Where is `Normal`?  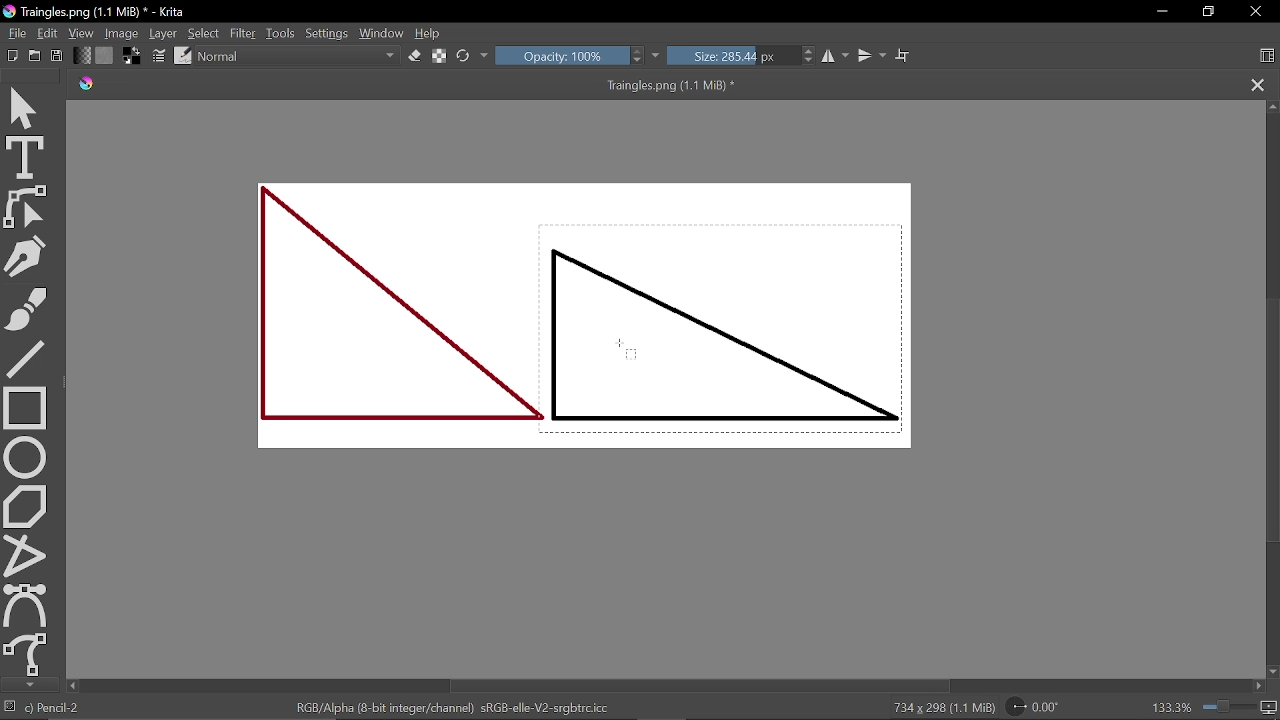
Normal is located at coordinates (298, 57).